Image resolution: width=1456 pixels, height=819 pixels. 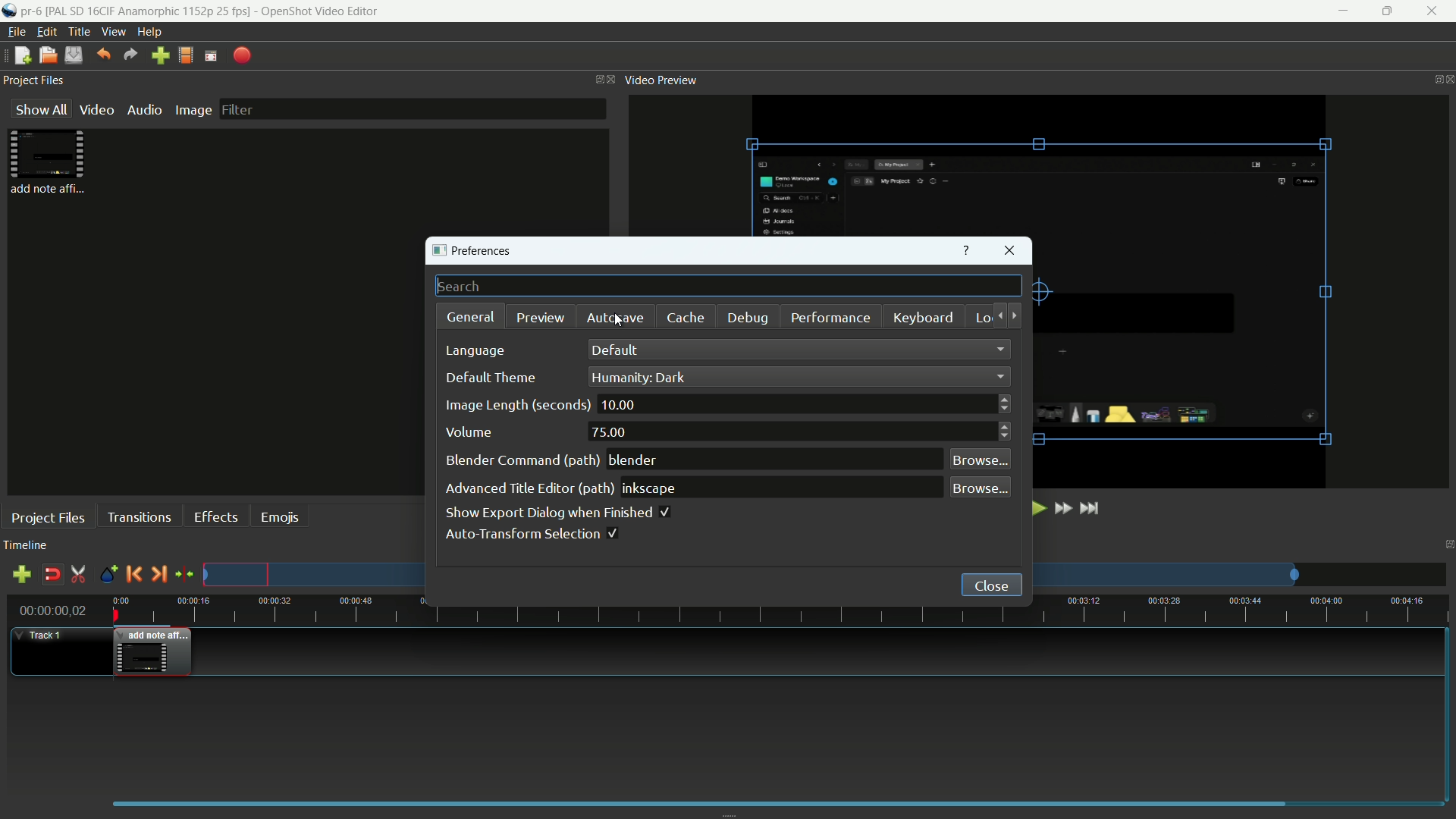 What do you see at coordinates (640, 377) in the screenshot?
I see `humanity dark` at bounding box center [640, 377].